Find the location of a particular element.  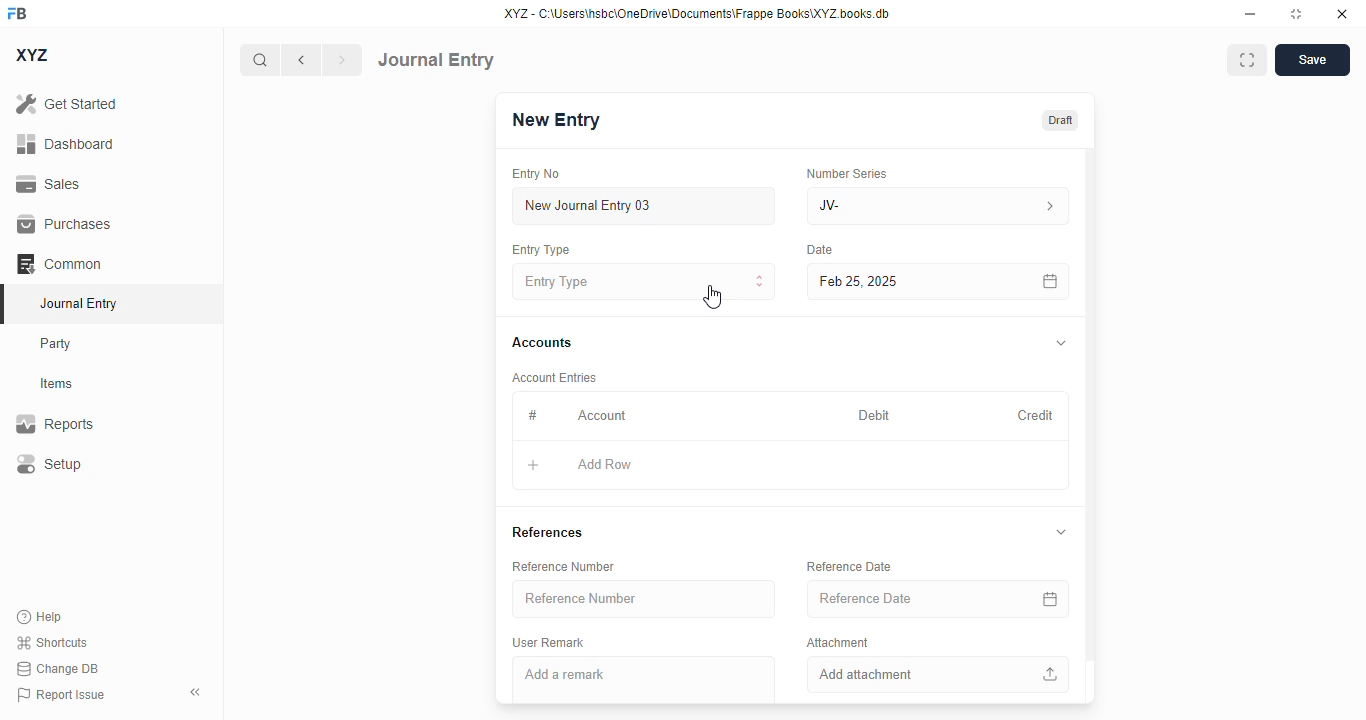

reference number is located at coordinates (643, 598).